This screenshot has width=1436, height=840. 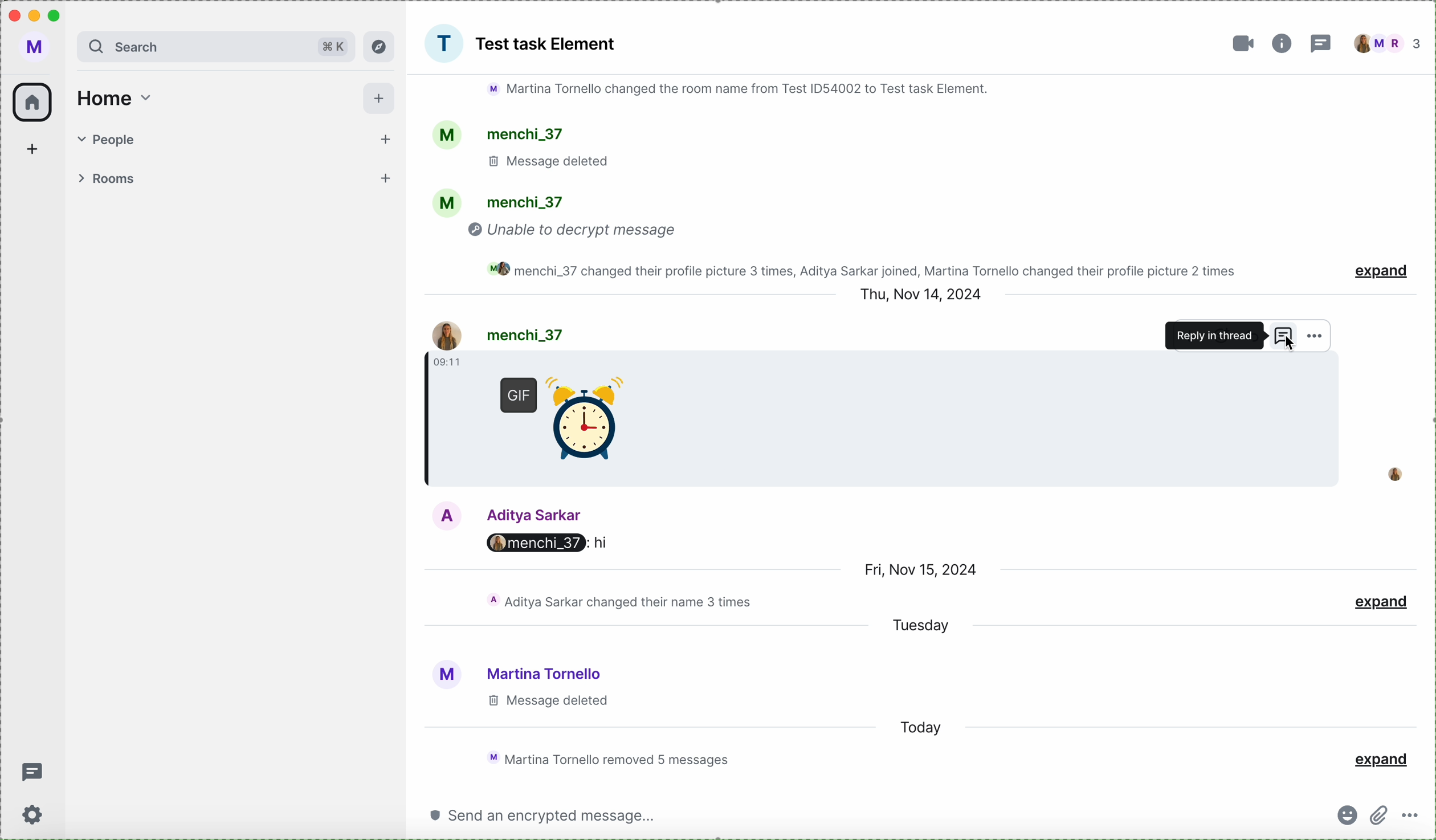 What do you see at coordinates (548, 44) in the screenshot?
I see `Test Task Element` at bounding box center [548, 44].